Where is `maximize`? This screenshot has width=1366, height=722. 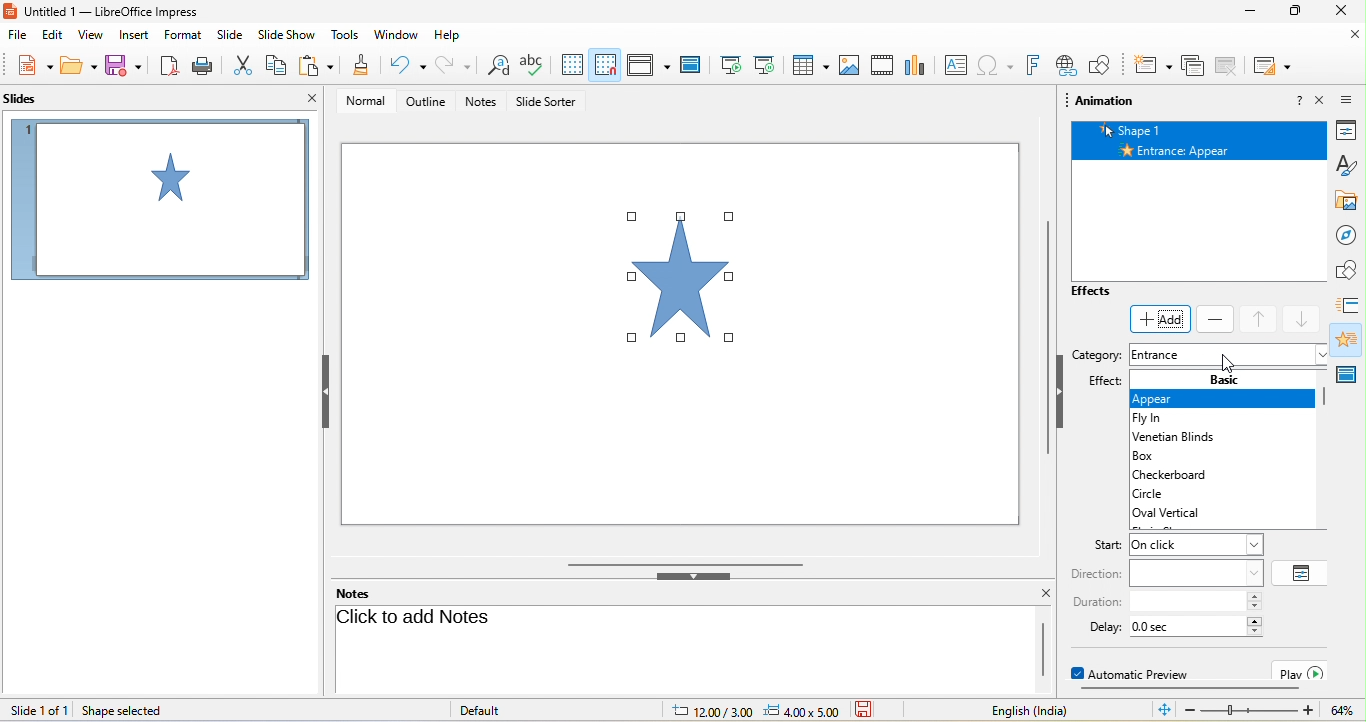 maximize is located at coordinates (1296, 10).